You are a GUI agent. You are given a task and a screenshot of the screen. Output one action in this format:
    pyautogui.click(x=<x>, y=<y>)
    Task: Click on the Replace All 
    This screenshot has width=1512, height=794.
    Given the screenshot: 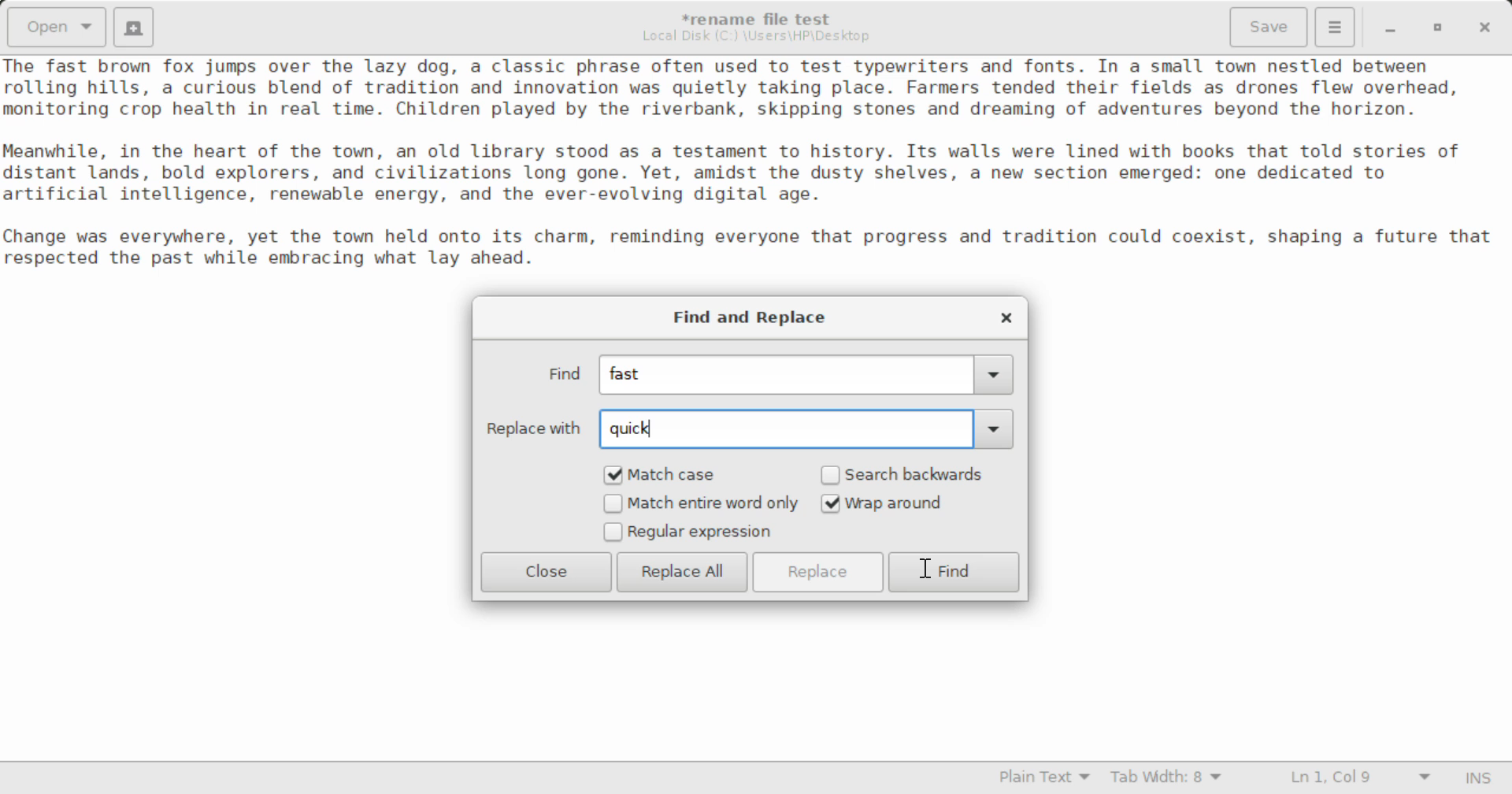 What is the action you would take?
    pyautogui.click(x=682, y=572)
    